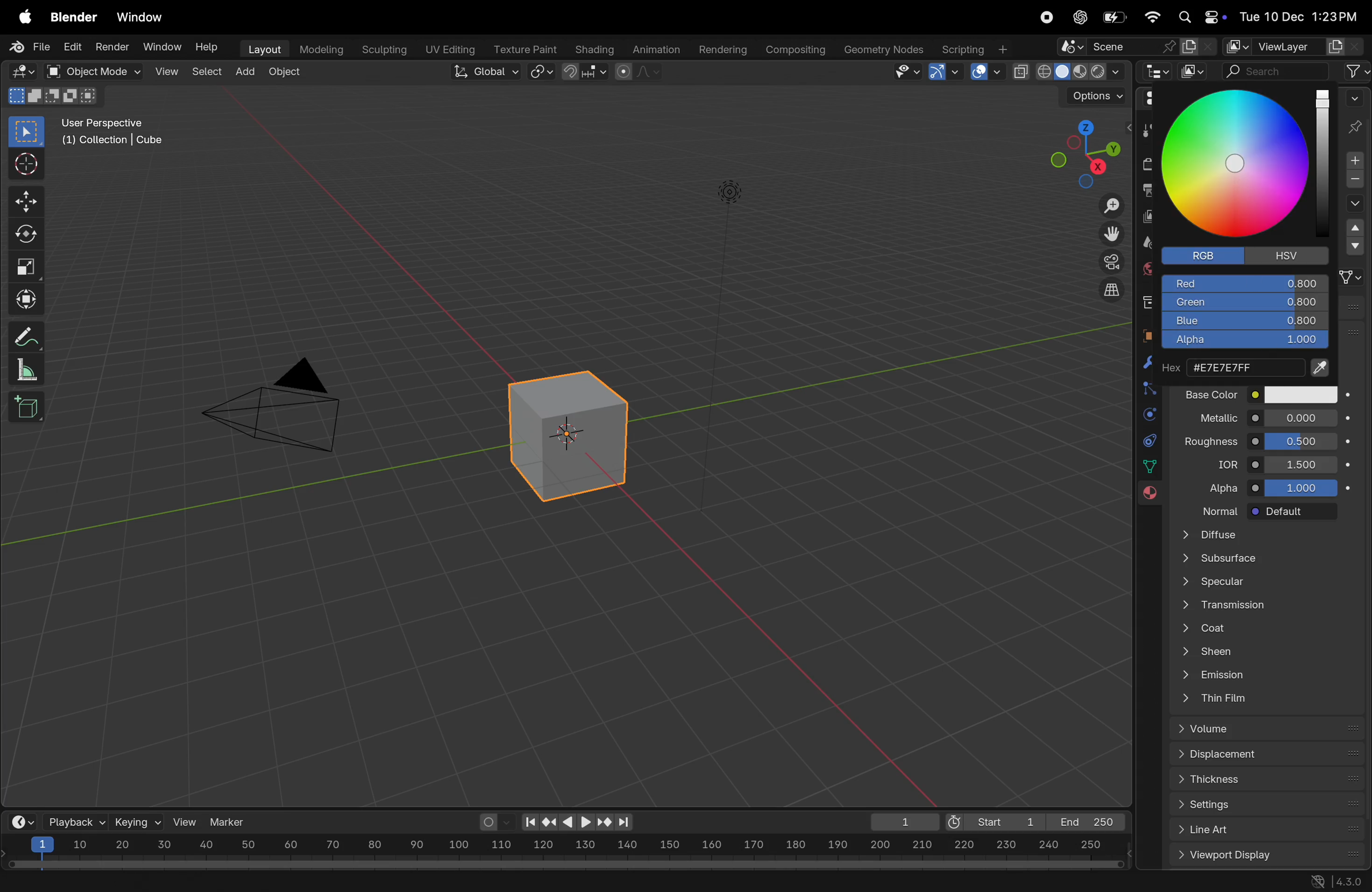 This screenshot has height=892, width=1372. Describe the element at coordinates (1149, 443) in the screenshot. I see `constarints` at that location.